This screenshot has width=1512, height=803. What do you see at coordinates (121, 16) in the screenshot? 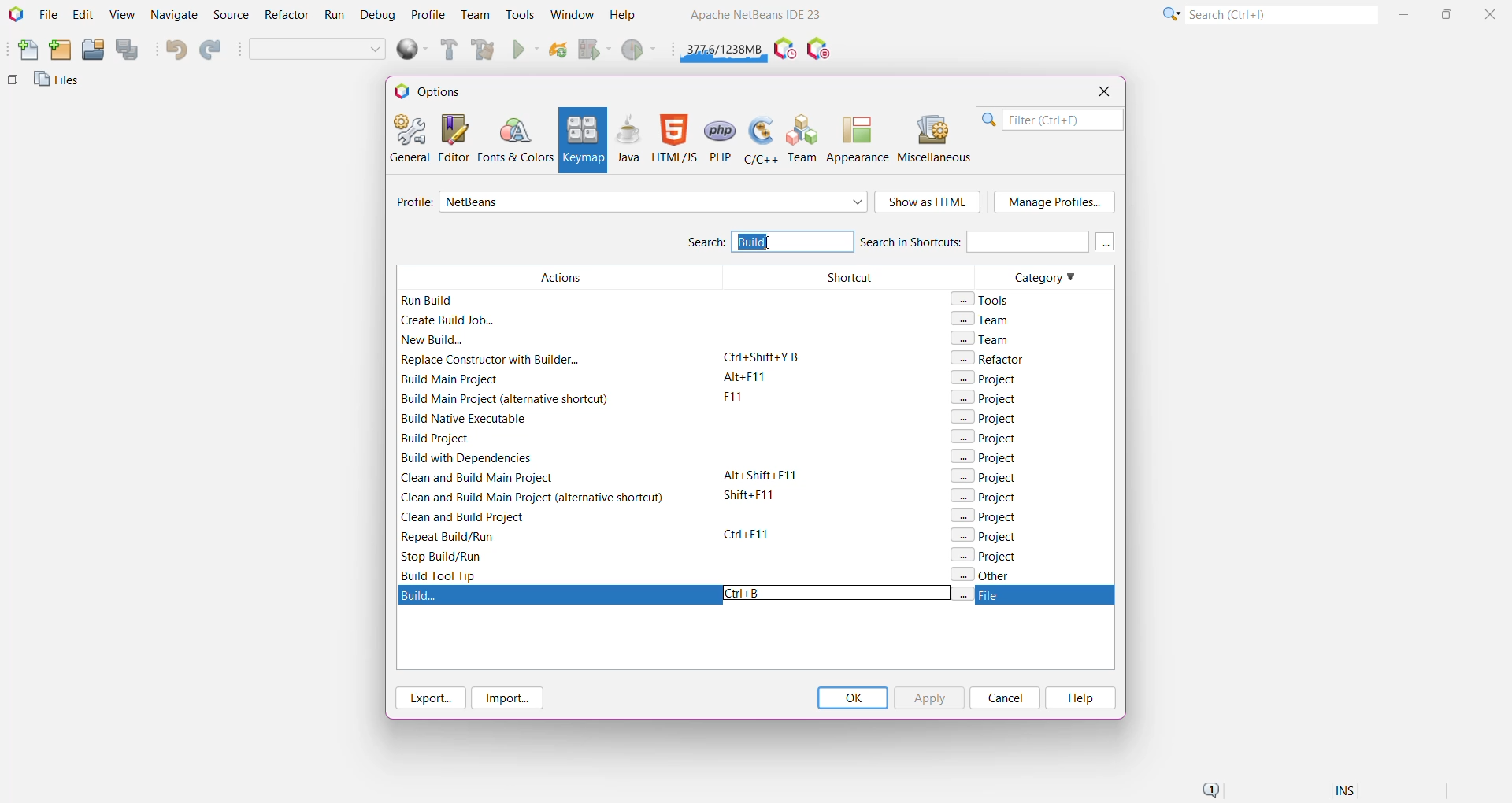
I see `View` at bounding box center [121, 16].